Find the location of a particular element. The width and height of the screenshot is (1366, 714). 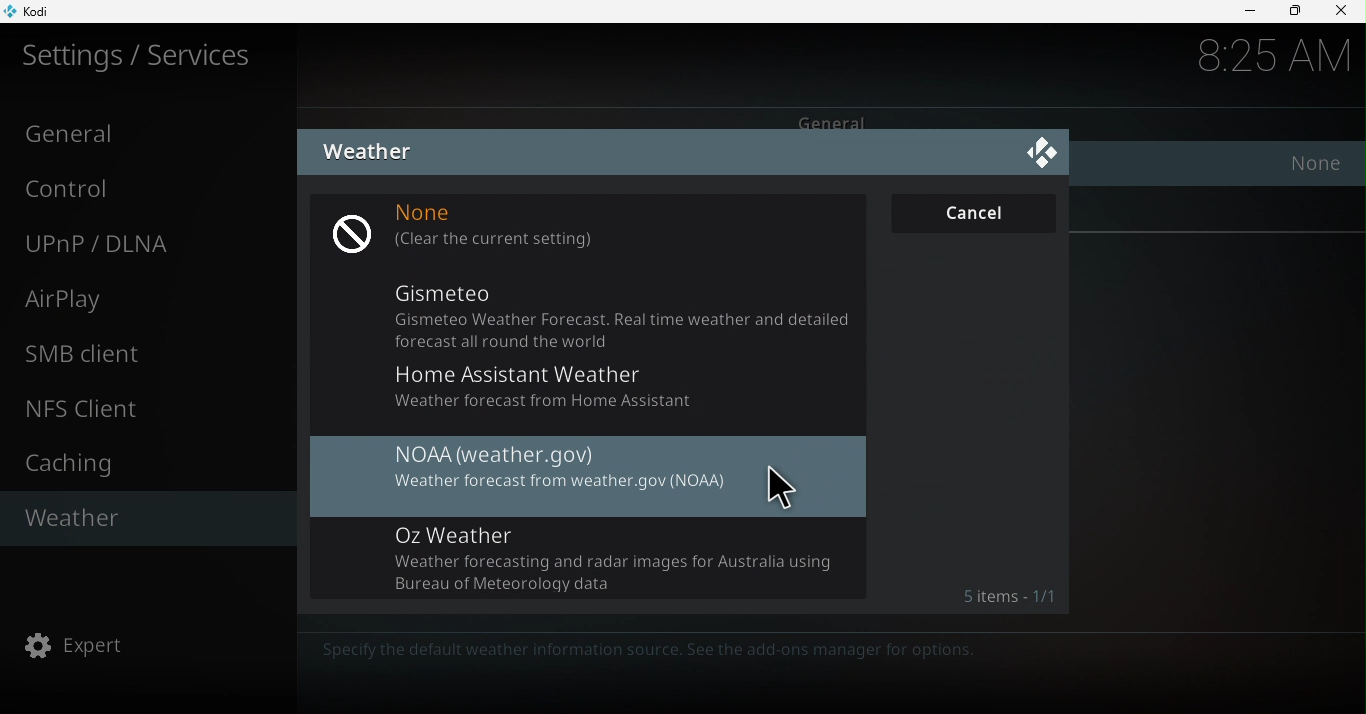

Oz Weather
Weather forecasting and radar images for Australia using
Bureau of Meteorology data is located at coordinates (622, 562).